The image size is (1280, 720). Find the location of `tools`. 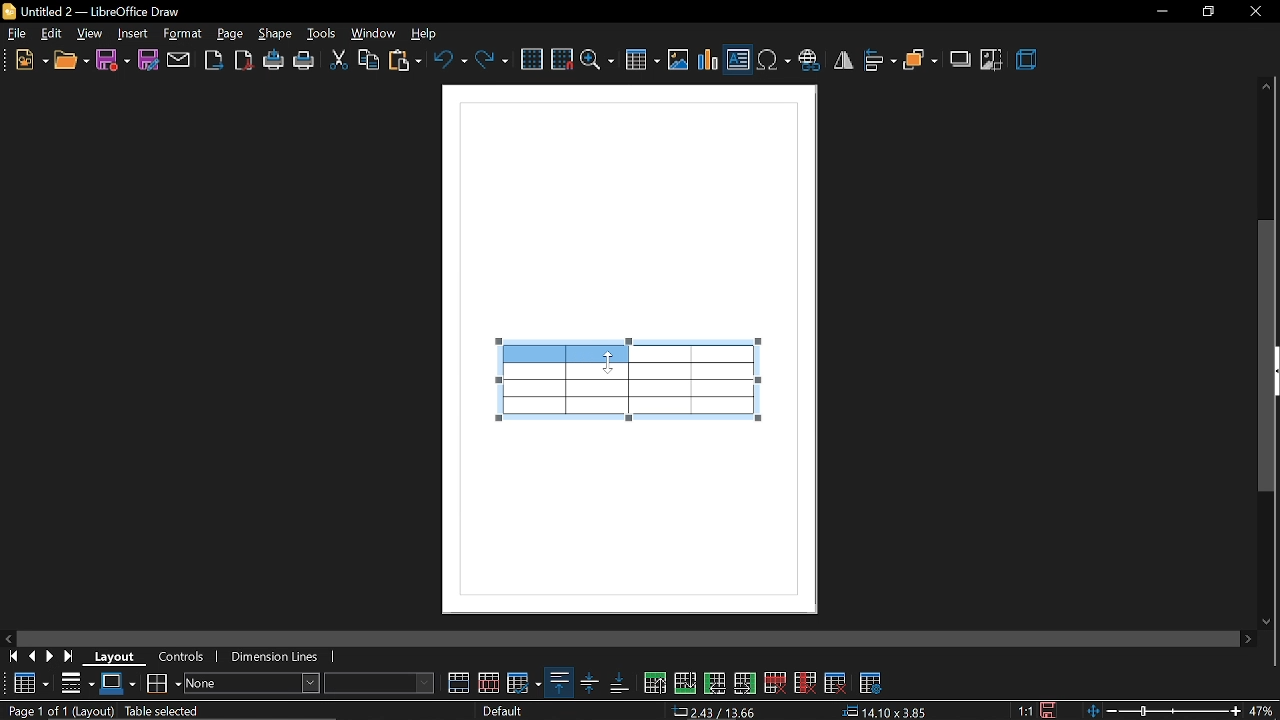

tools is located at coordinates (322, 33).